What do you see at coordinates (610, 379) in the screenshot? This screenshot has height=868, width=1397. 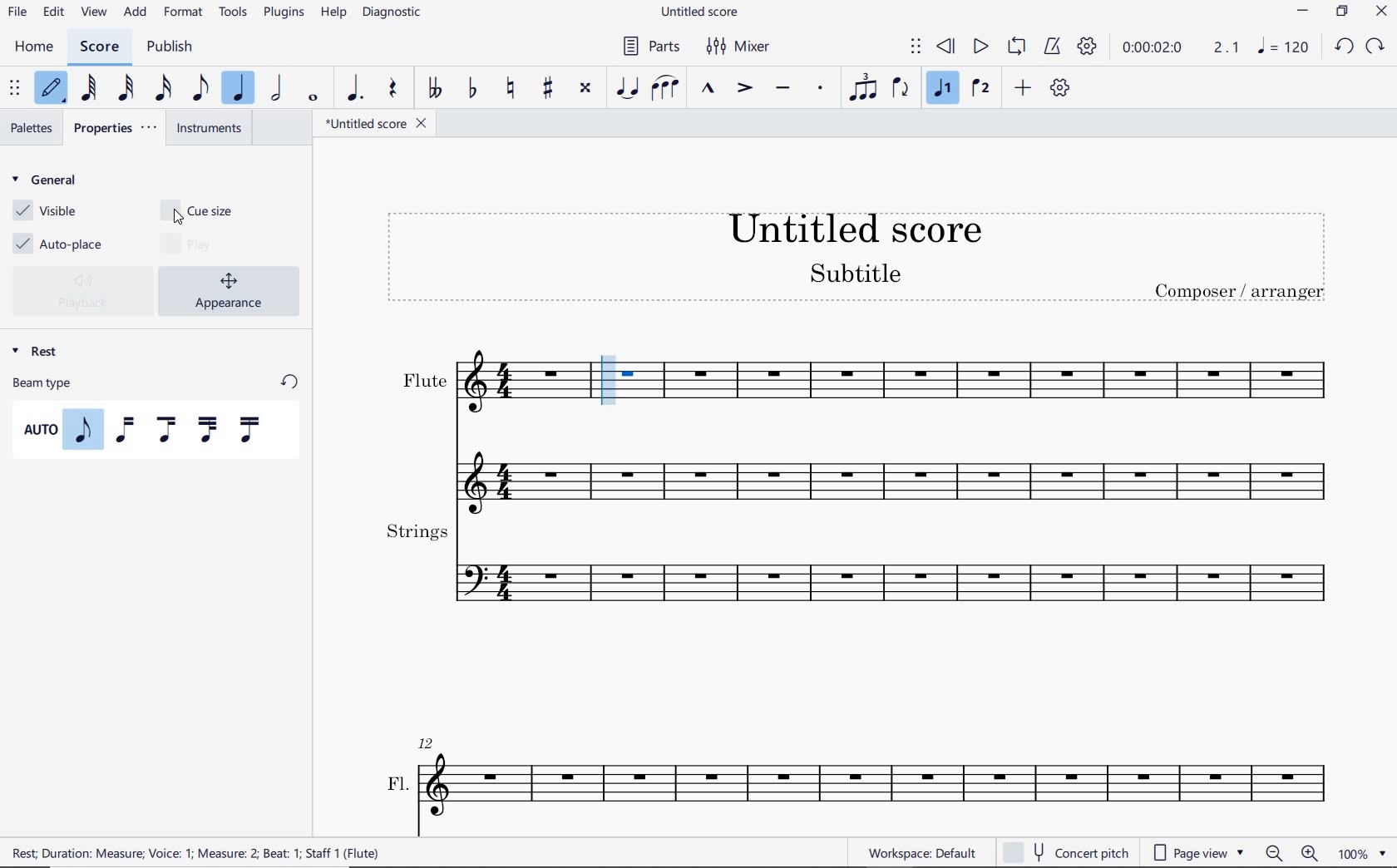 I see `EDITOR` at bounding box center [610, 379].